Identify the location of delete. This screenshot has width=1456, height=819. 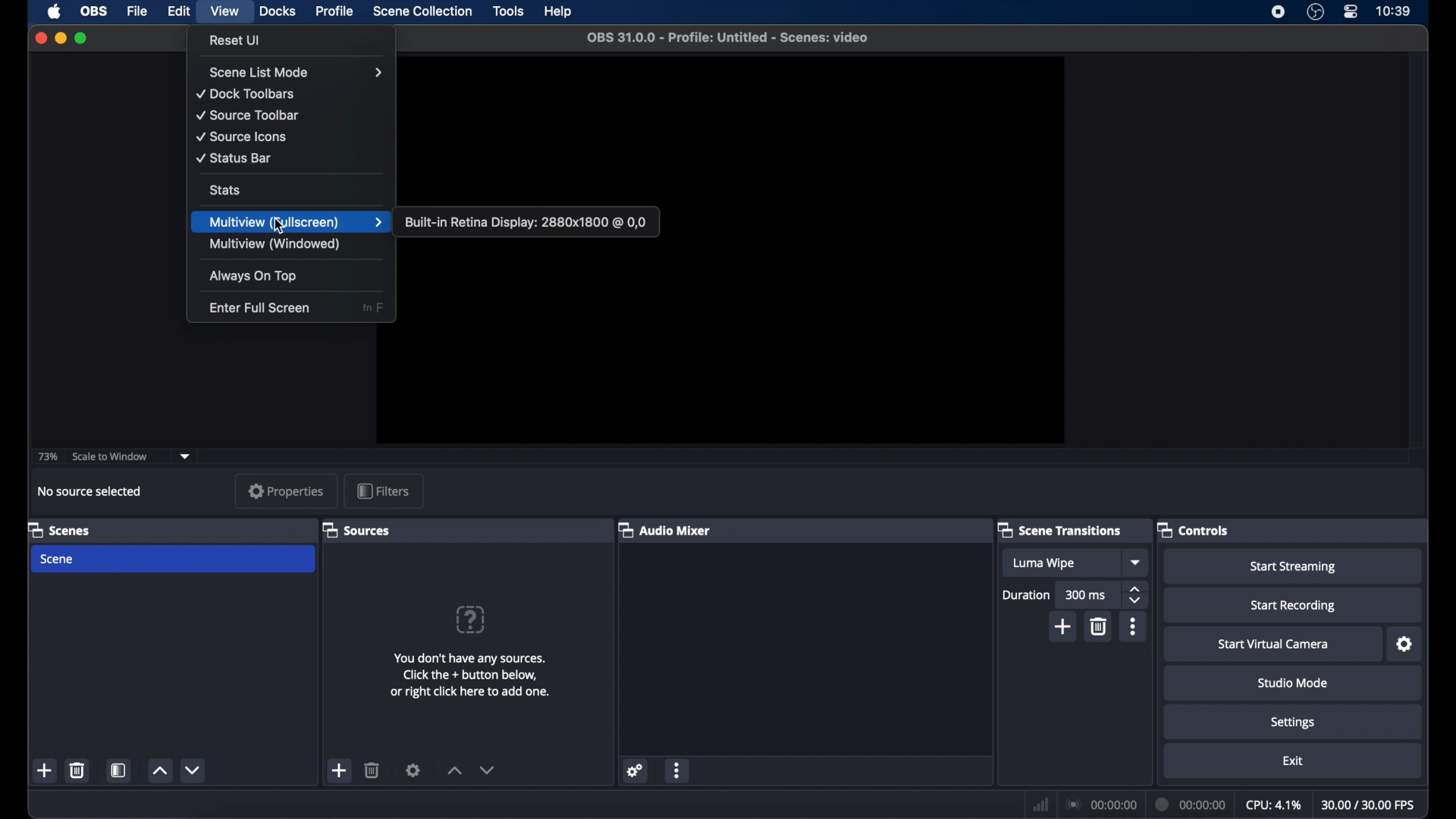
(372, 770).